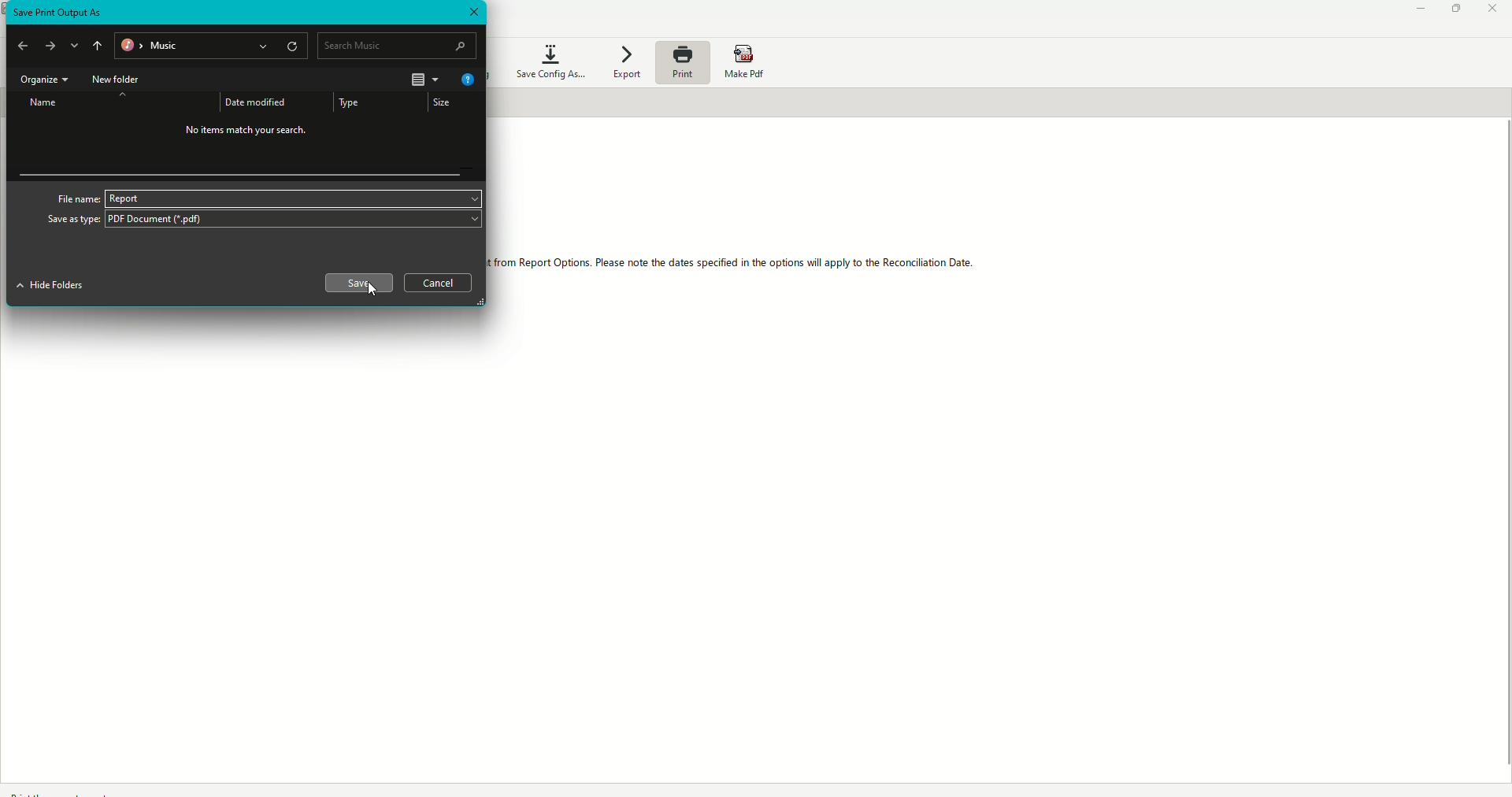 Image resolution: width=1512 pixels, height=797 pixels. I want to click on Name, so click(39, 105).